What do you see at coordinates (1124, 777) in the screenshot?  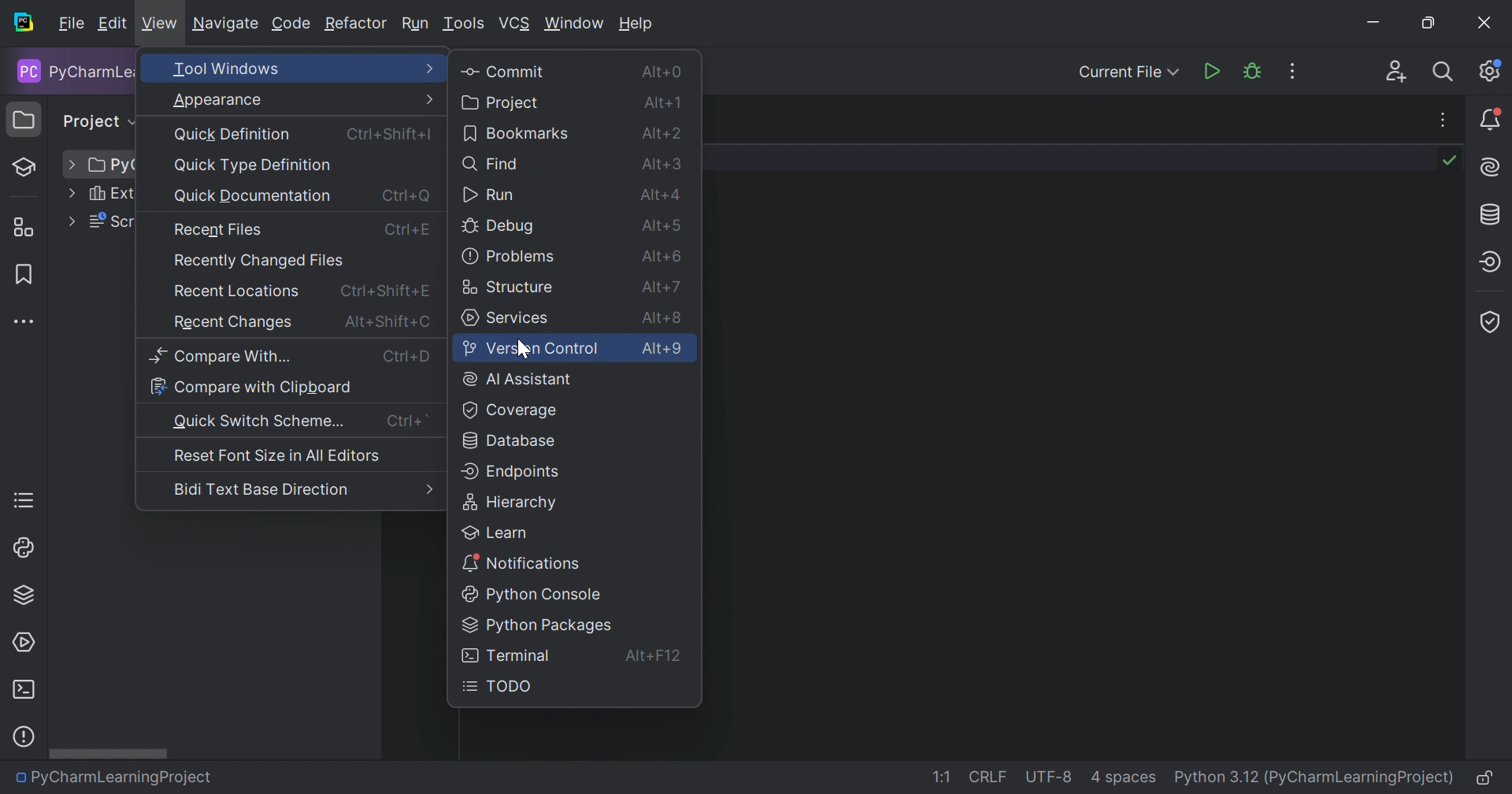 I see `4 spaces` at bounding box center [1124, 777].